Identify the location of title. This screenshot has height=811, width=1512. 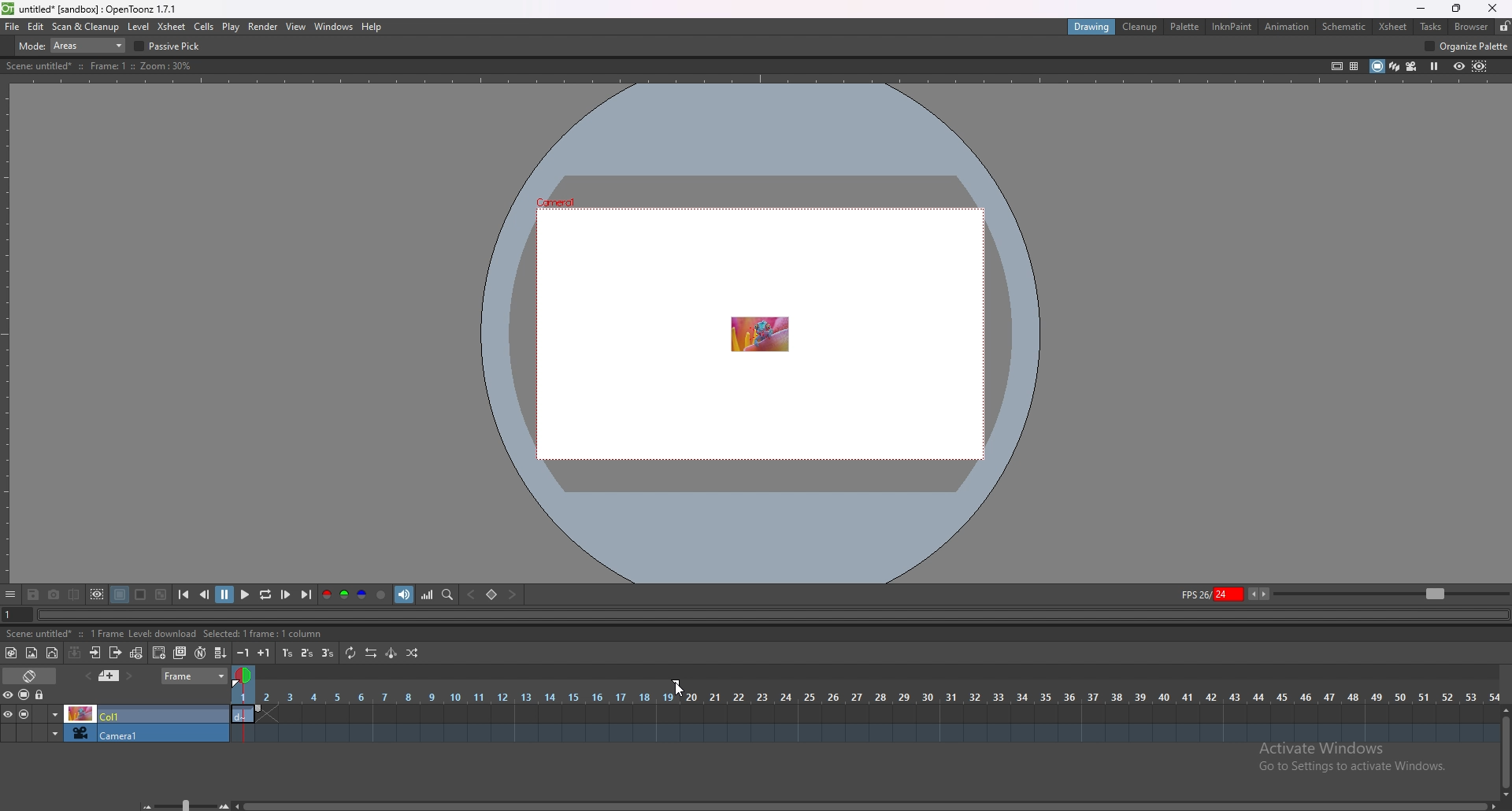
(92, 9).